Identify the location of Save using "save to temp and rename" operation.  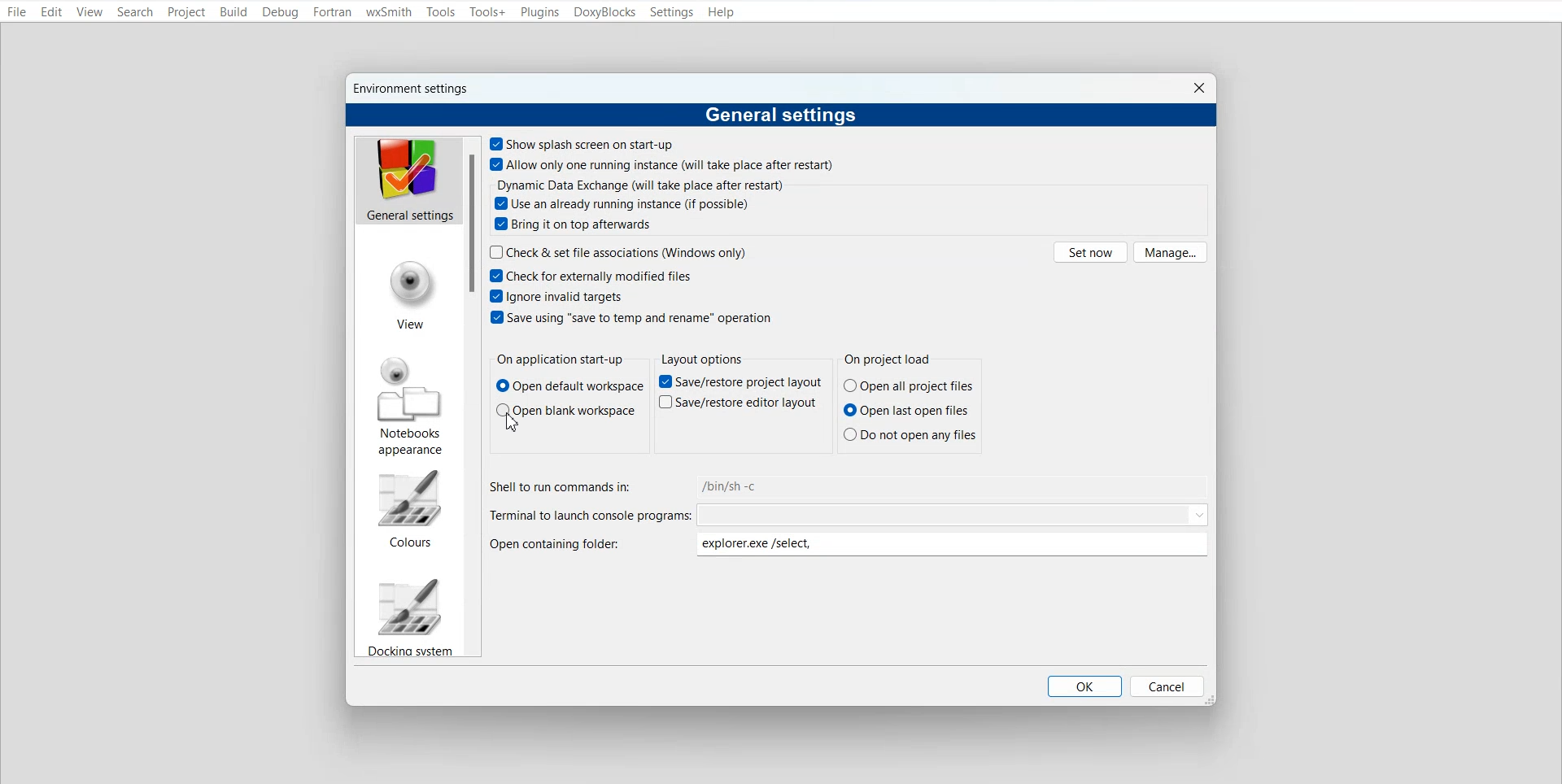
(631, 316).